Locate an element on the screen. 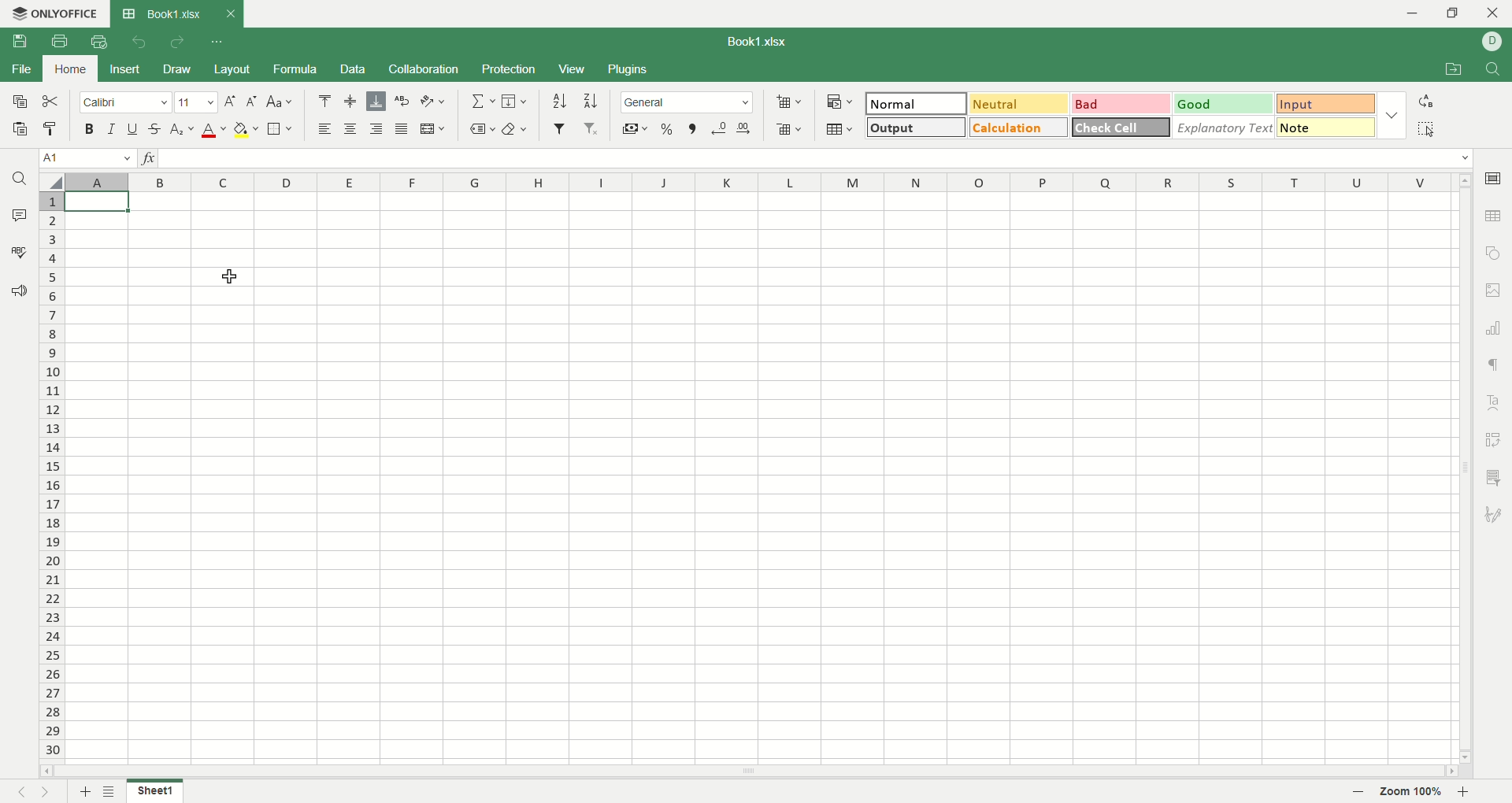  input is located at coordinates (1326, 105).